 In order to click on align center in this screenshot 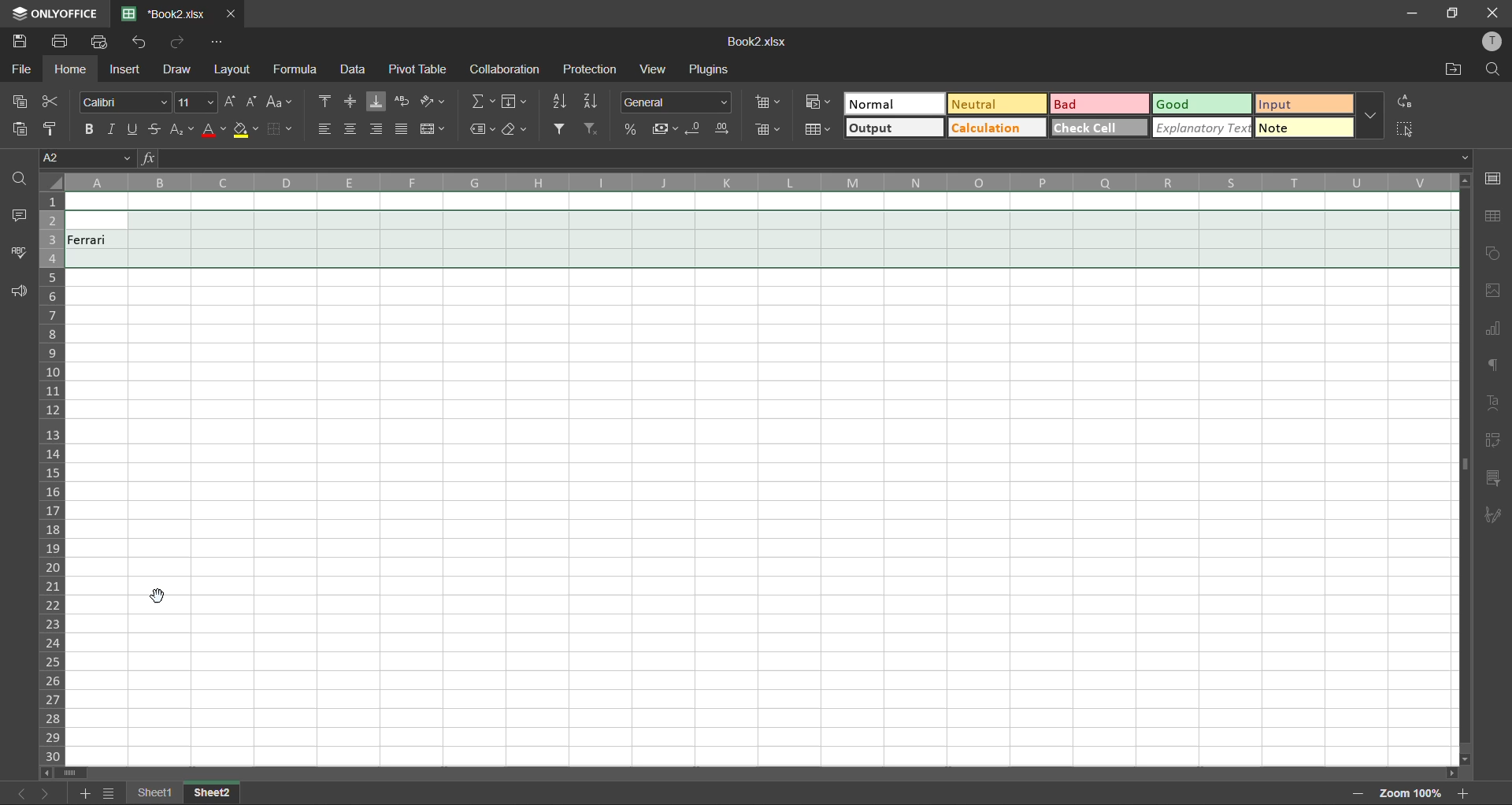, I will do `click(352, 129)`.